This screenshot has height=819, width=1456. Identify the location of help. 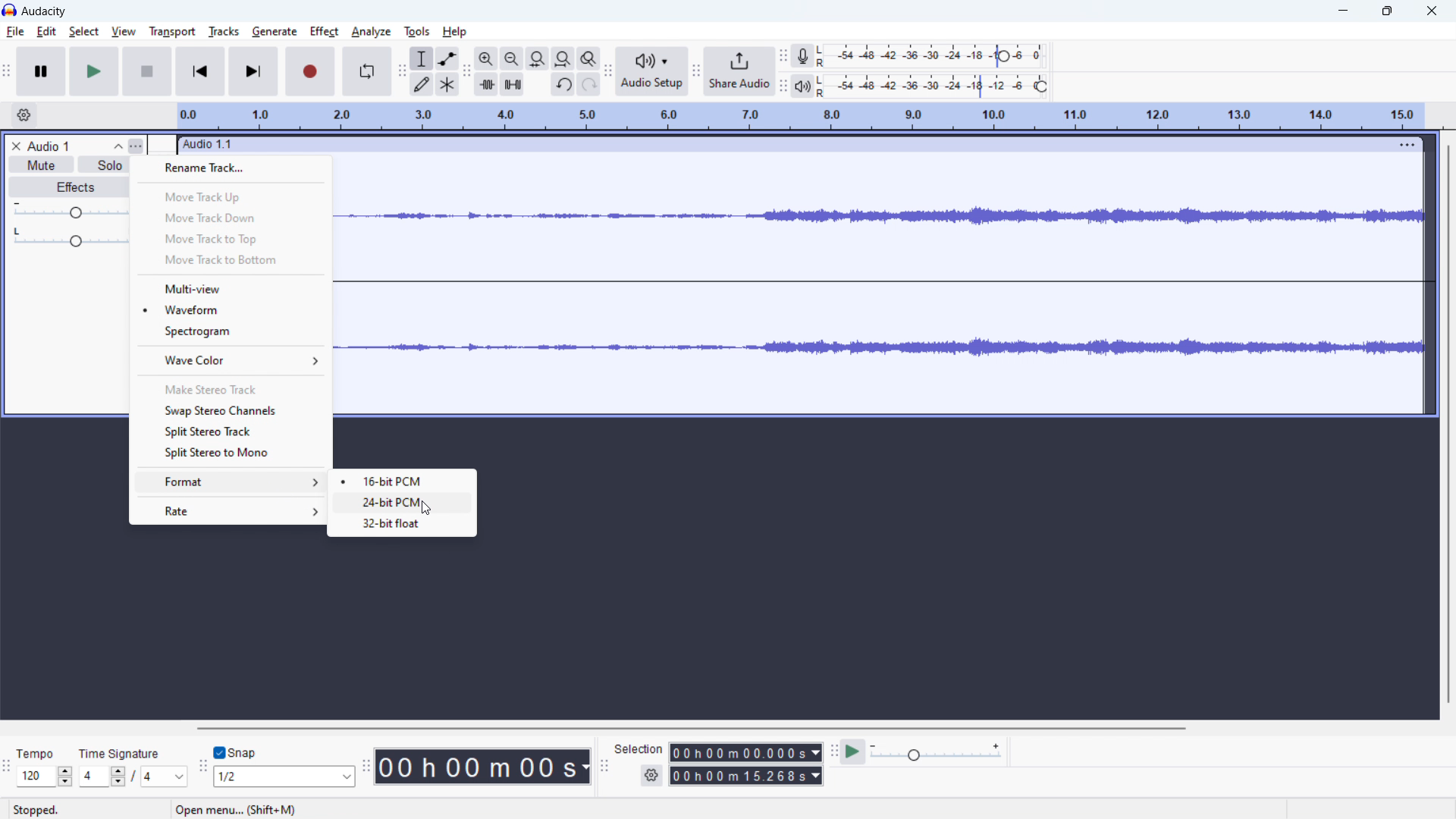
(455, 31).